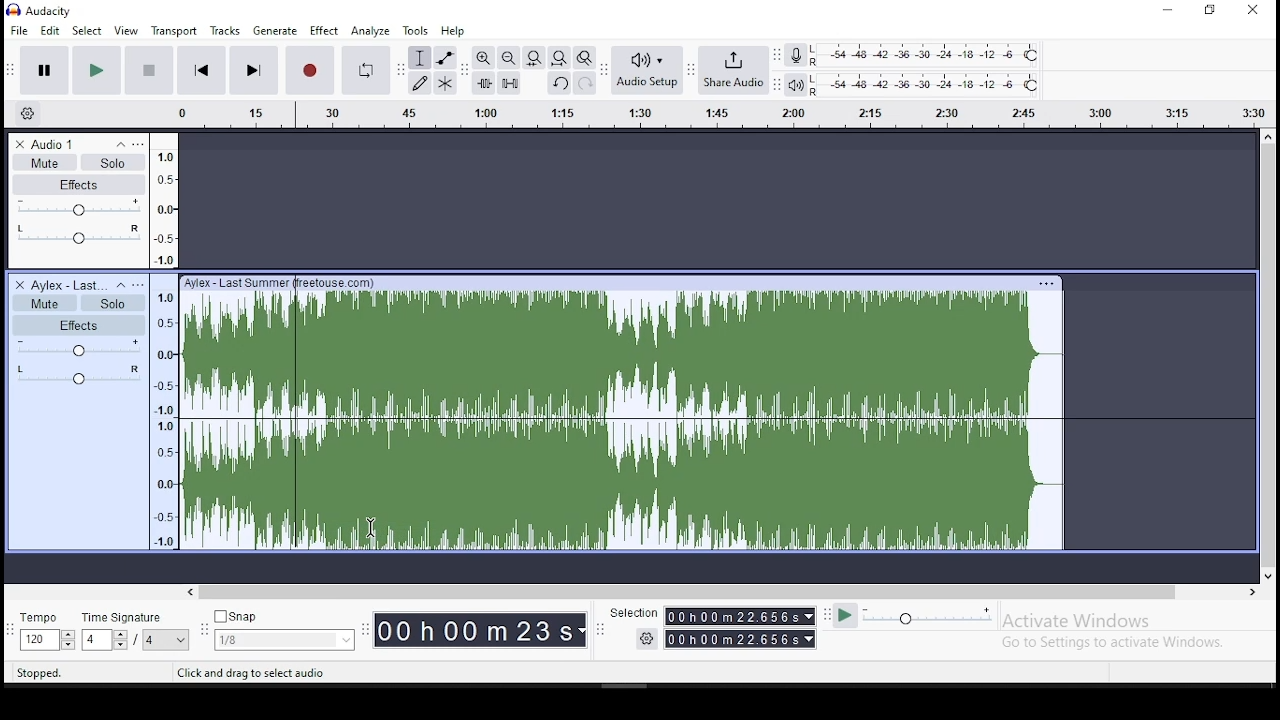  What do you see at coordinates (646, 69) in the screenshot?
I see `audio setup` at bounding box center [646, 69].